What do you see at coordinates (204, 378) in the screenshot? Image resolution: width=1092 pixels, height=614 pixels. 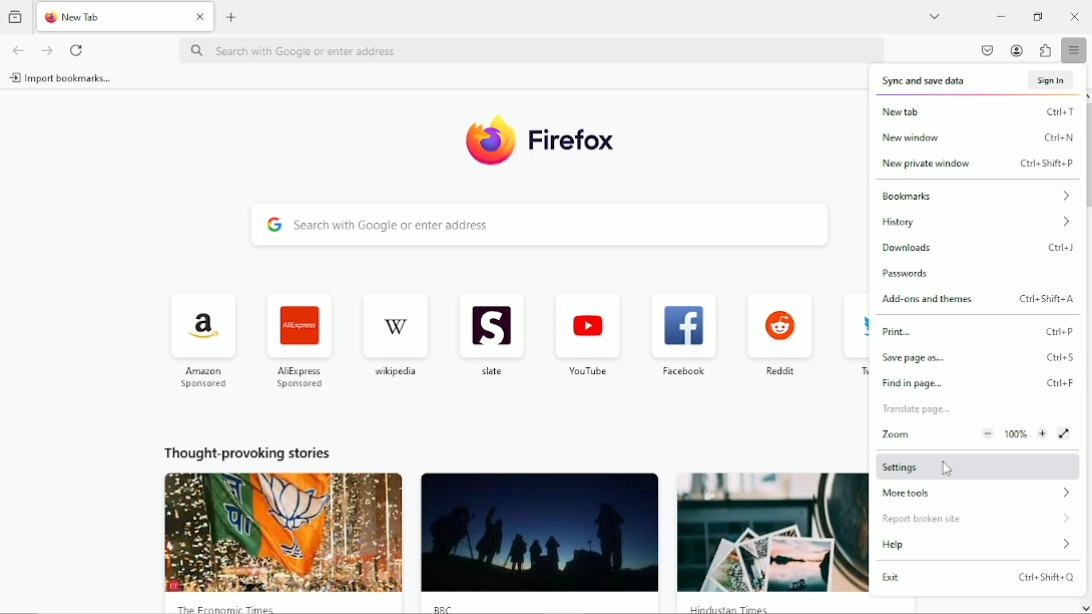 I see `amazon` at bounding box center [204, 378].